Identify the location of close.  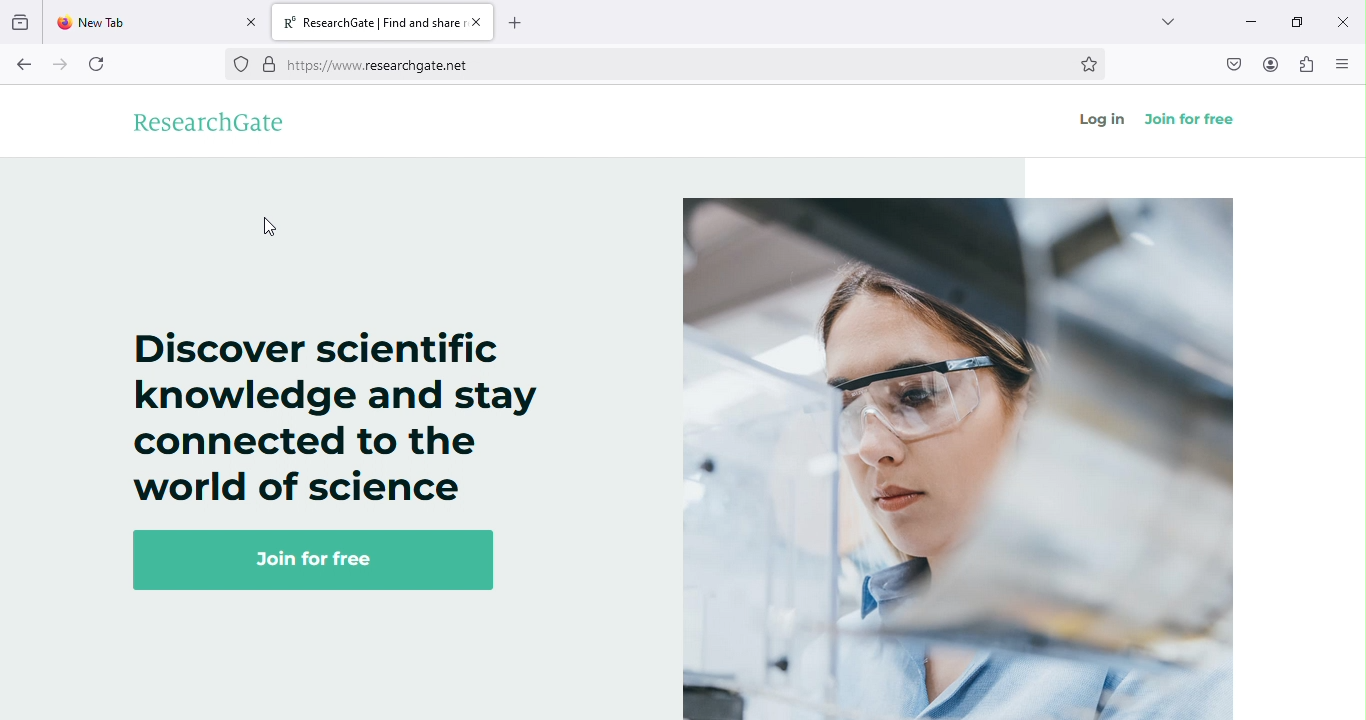
(480, 23).